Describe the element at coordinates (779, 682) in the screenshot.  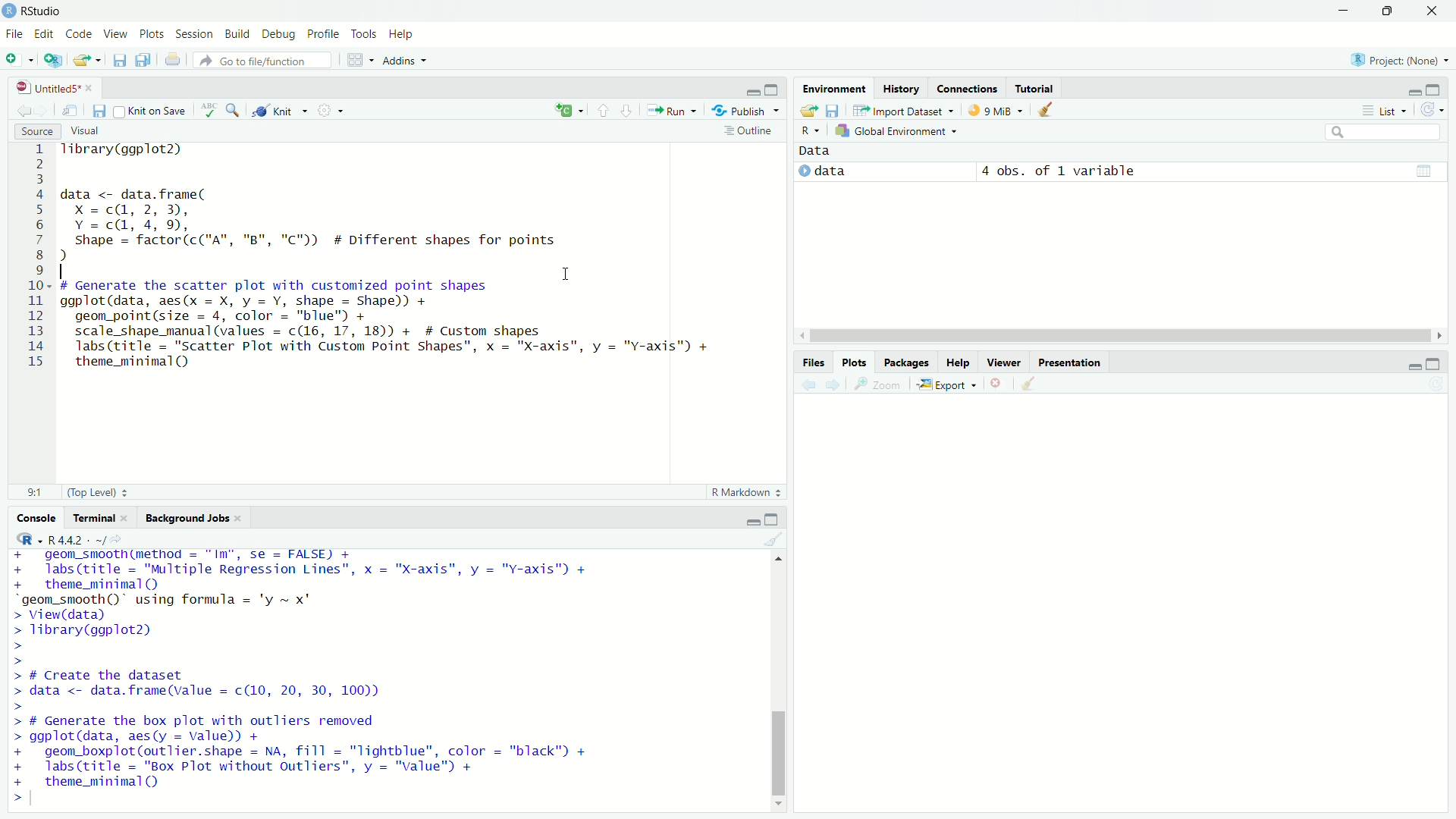
I see `vertical scroll bar` at that location.